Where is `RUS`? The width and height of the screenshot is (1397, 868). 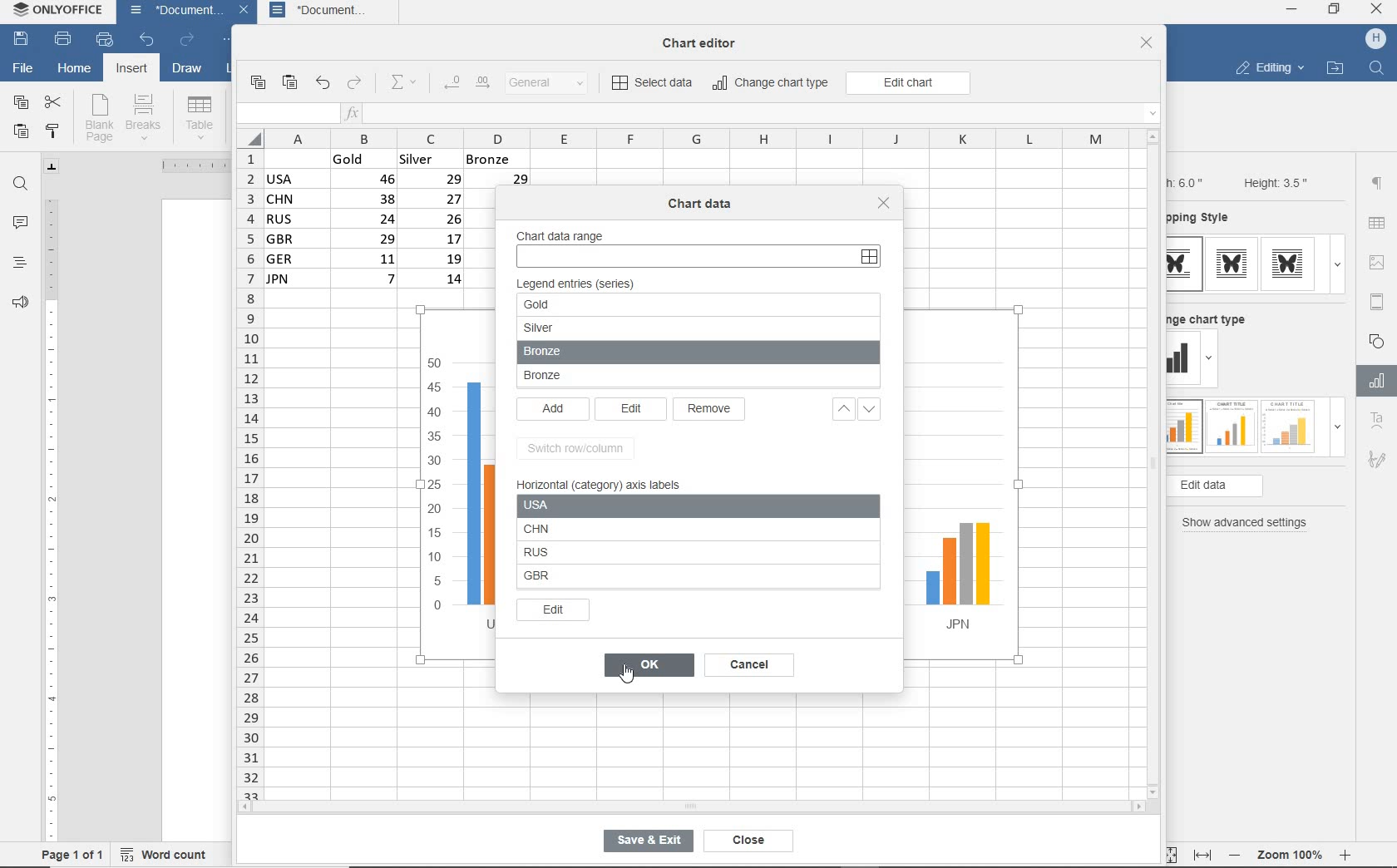
RUS is located at coordinates (671, 550).